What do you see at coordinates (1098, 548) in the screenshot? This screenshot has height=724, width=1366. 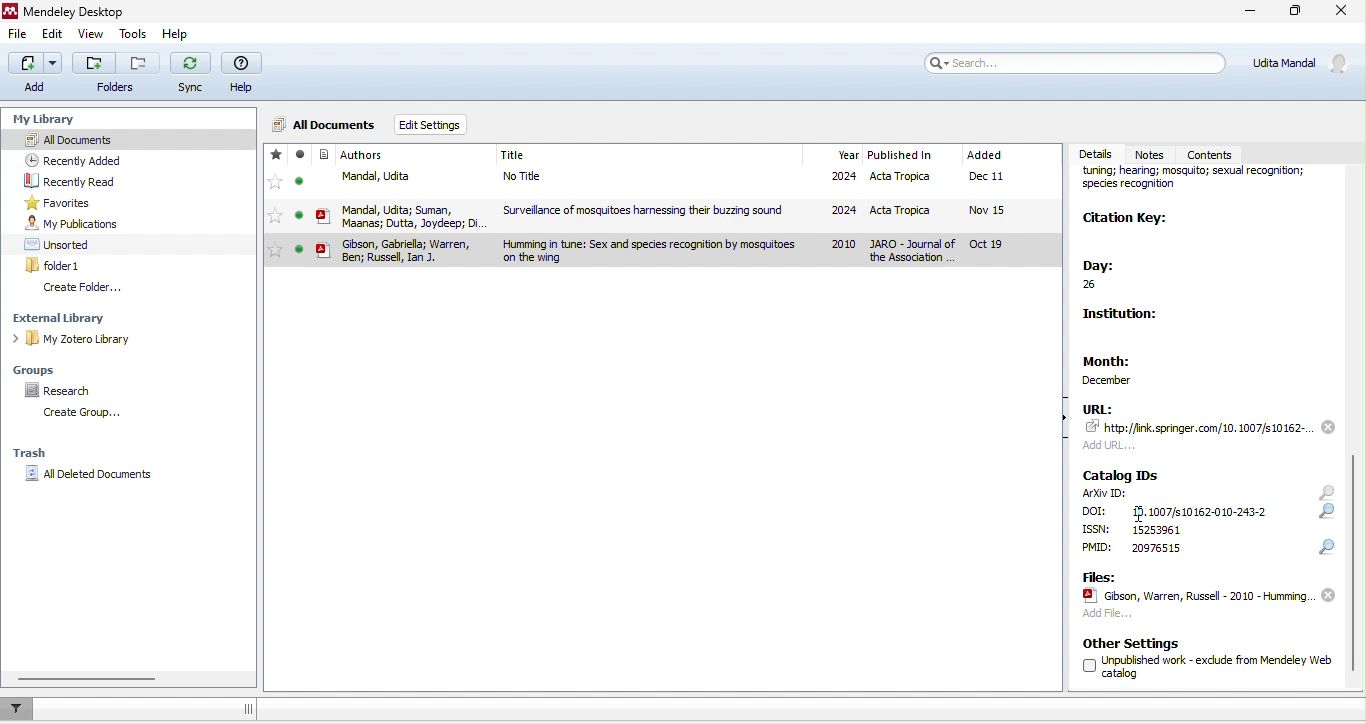 I see `text` at bounding box center [1098, 548].